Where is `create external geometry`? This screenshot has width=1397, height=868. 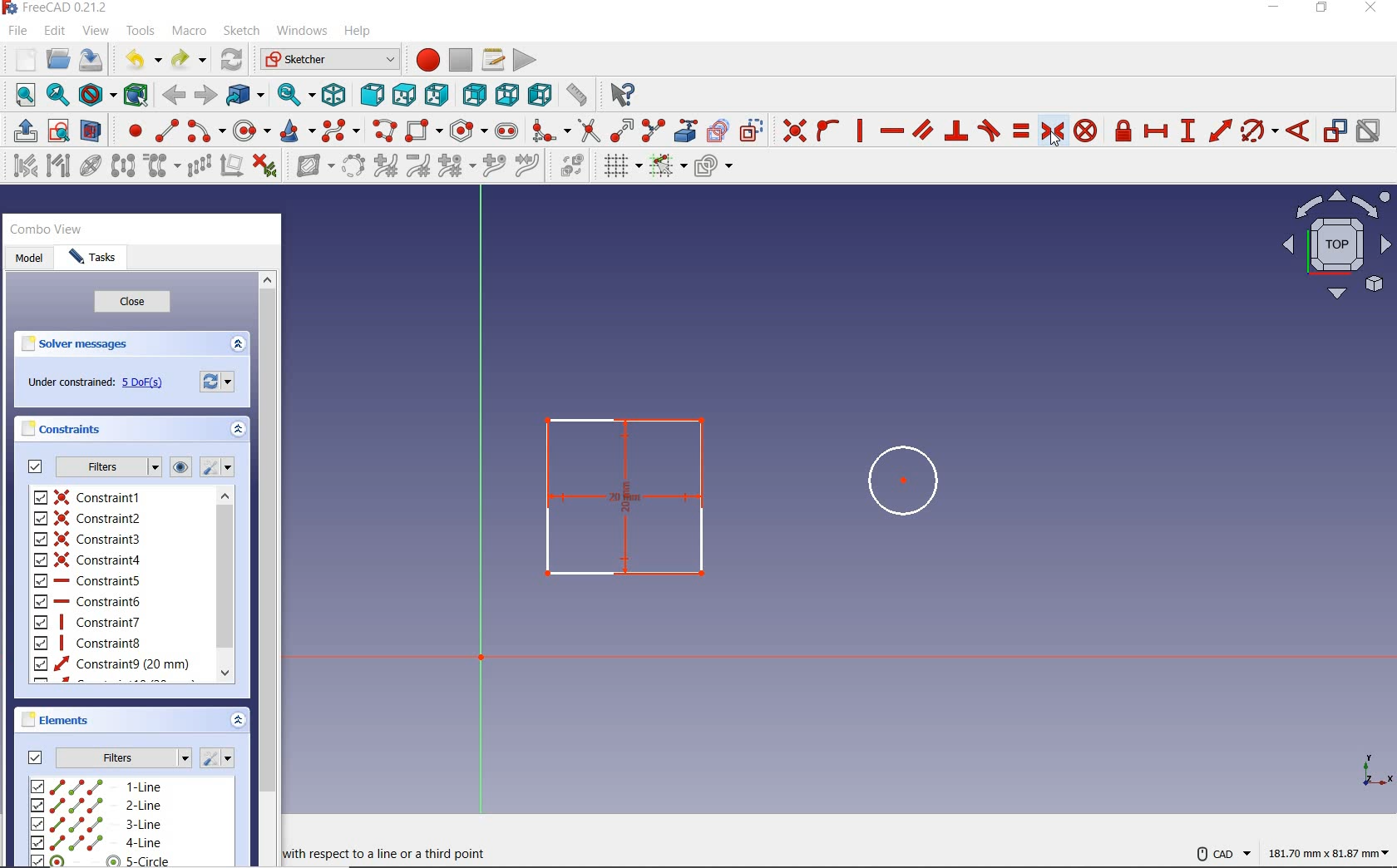
create external geometry is located at coordinates (688, 131).